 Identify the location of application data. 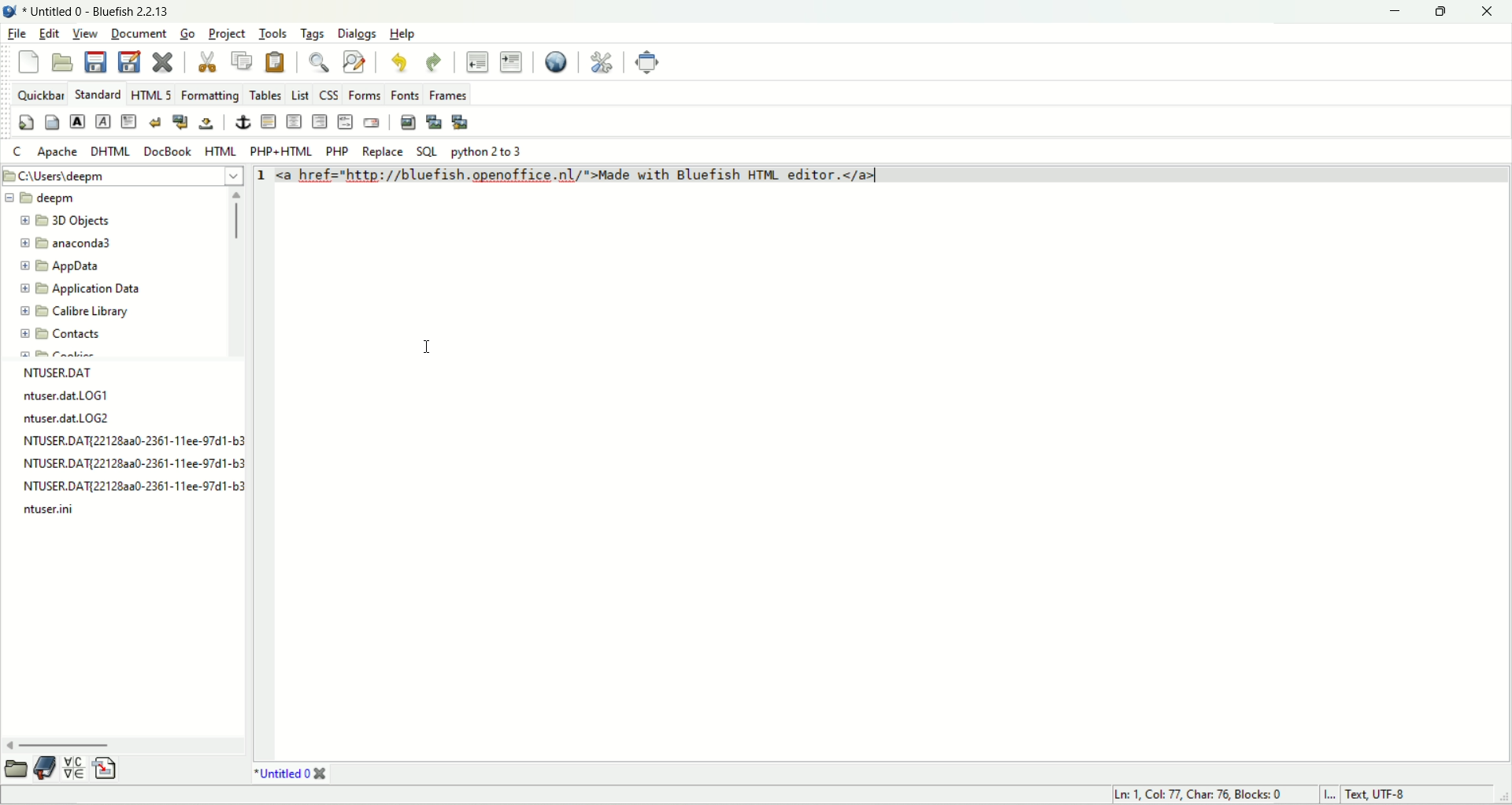
(83, 289).